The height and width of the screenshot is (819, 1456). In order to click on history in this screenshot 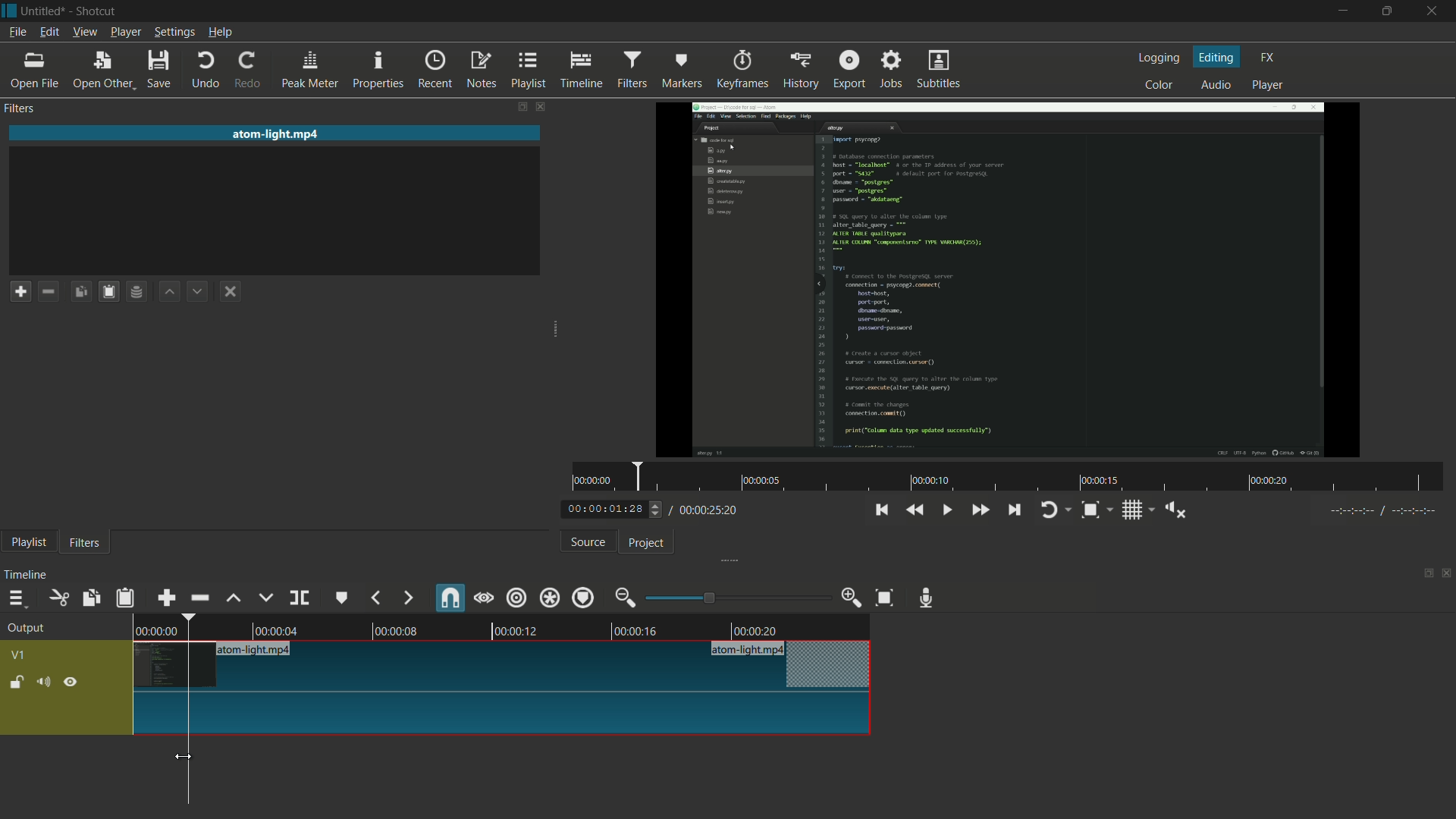, I will do `click(799, 71)`.